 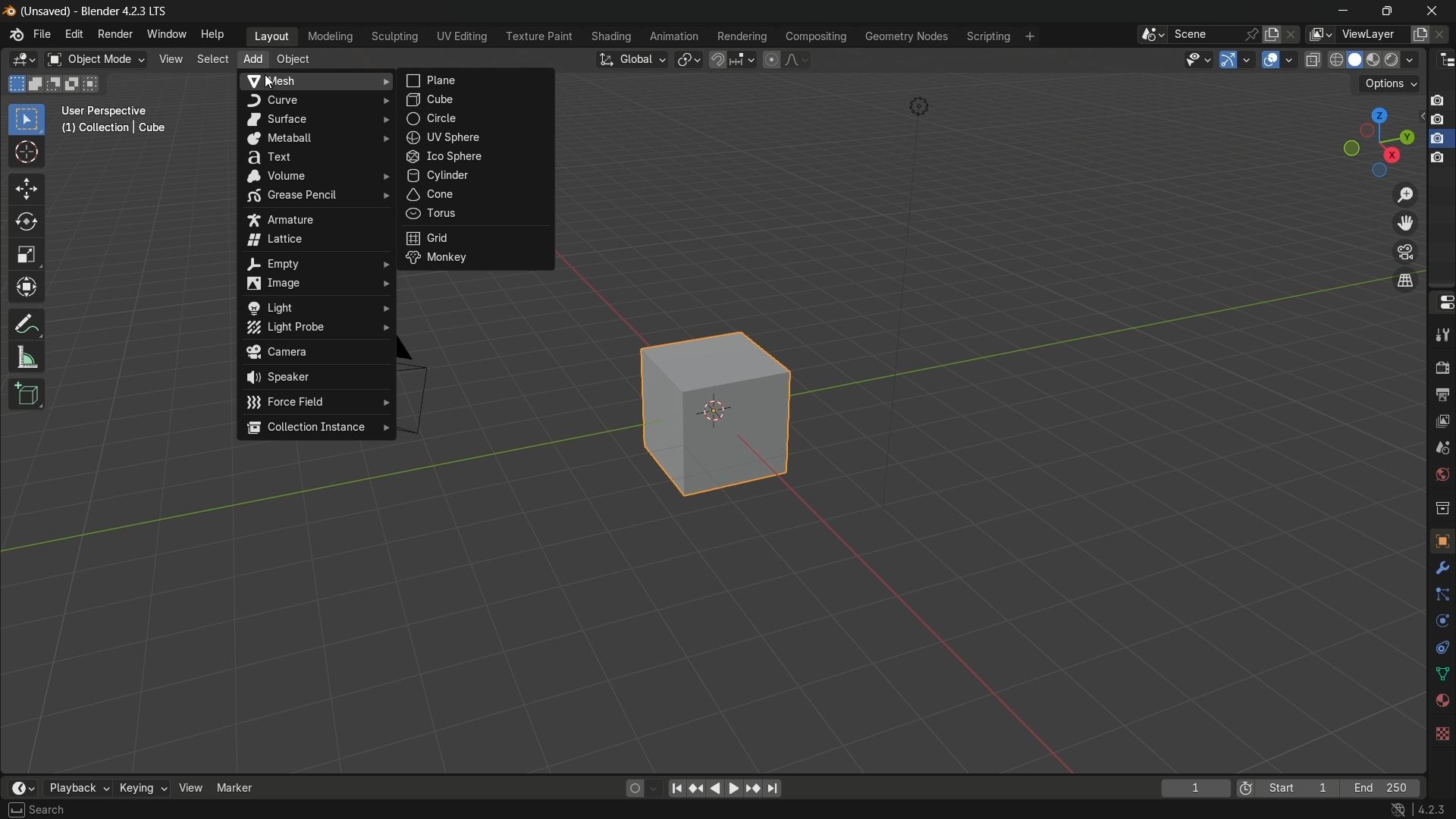 What do you see at coordinates (1252, 34) in the screenshot?
I see `pin scene to workplace` at bounding box center [1252, 34].